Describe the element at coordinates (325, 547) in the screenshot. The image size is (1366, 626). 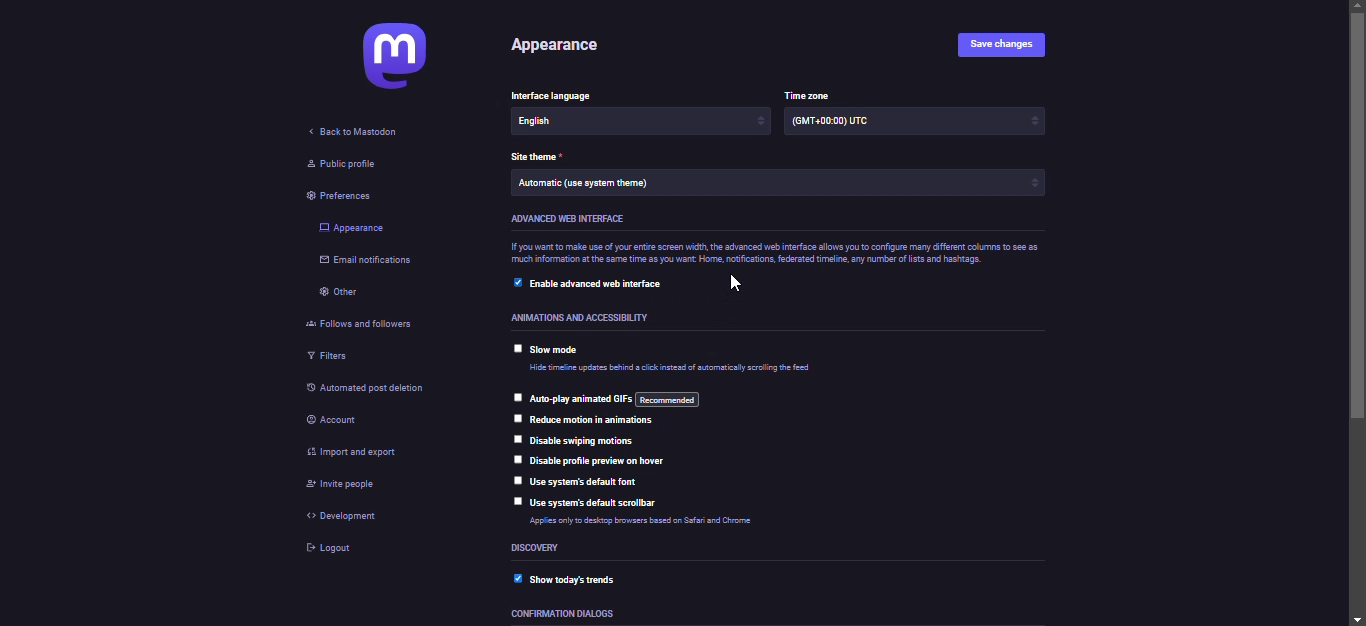
I see `logout` at that location.